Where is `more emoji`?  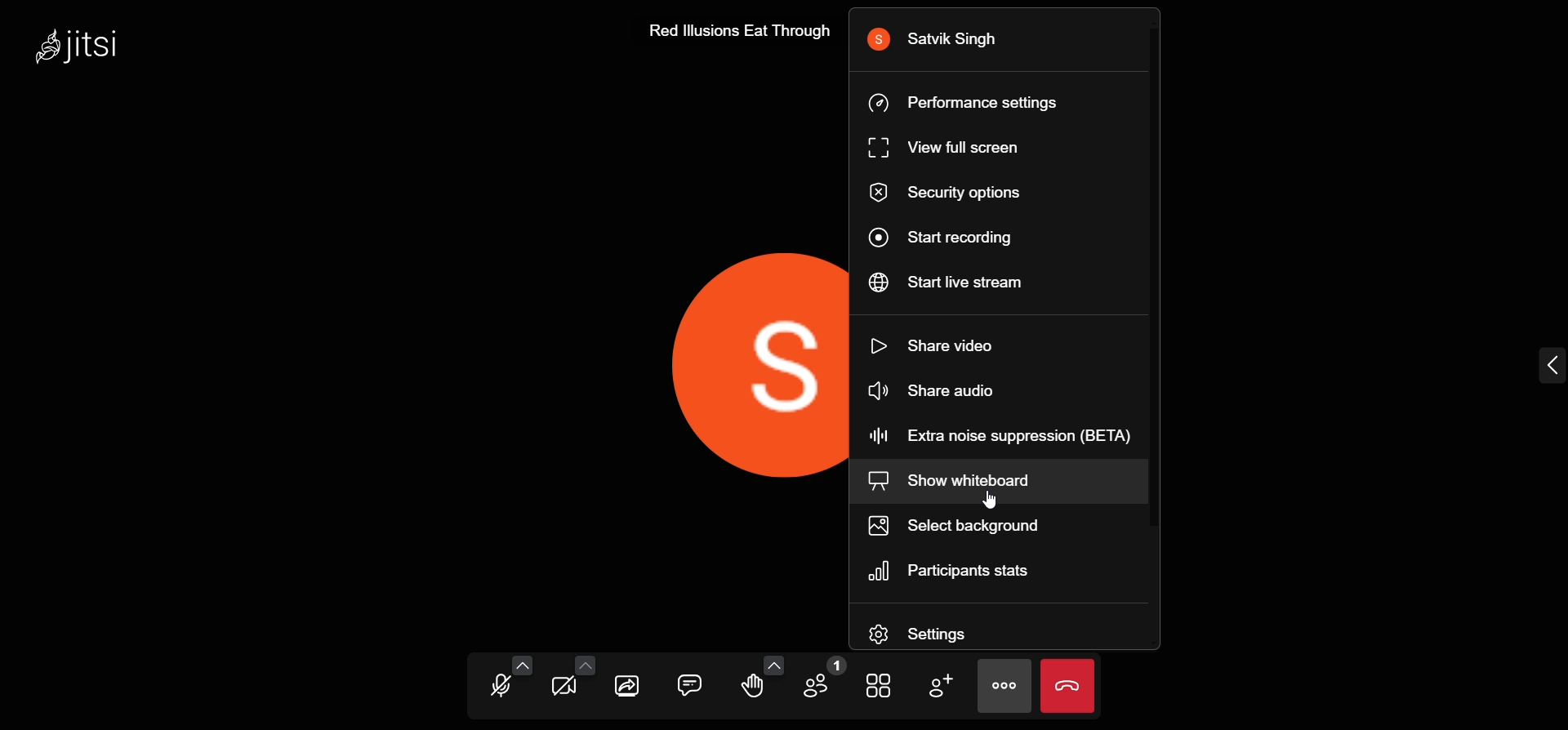 more emoji is located at coordinates (775, 664).